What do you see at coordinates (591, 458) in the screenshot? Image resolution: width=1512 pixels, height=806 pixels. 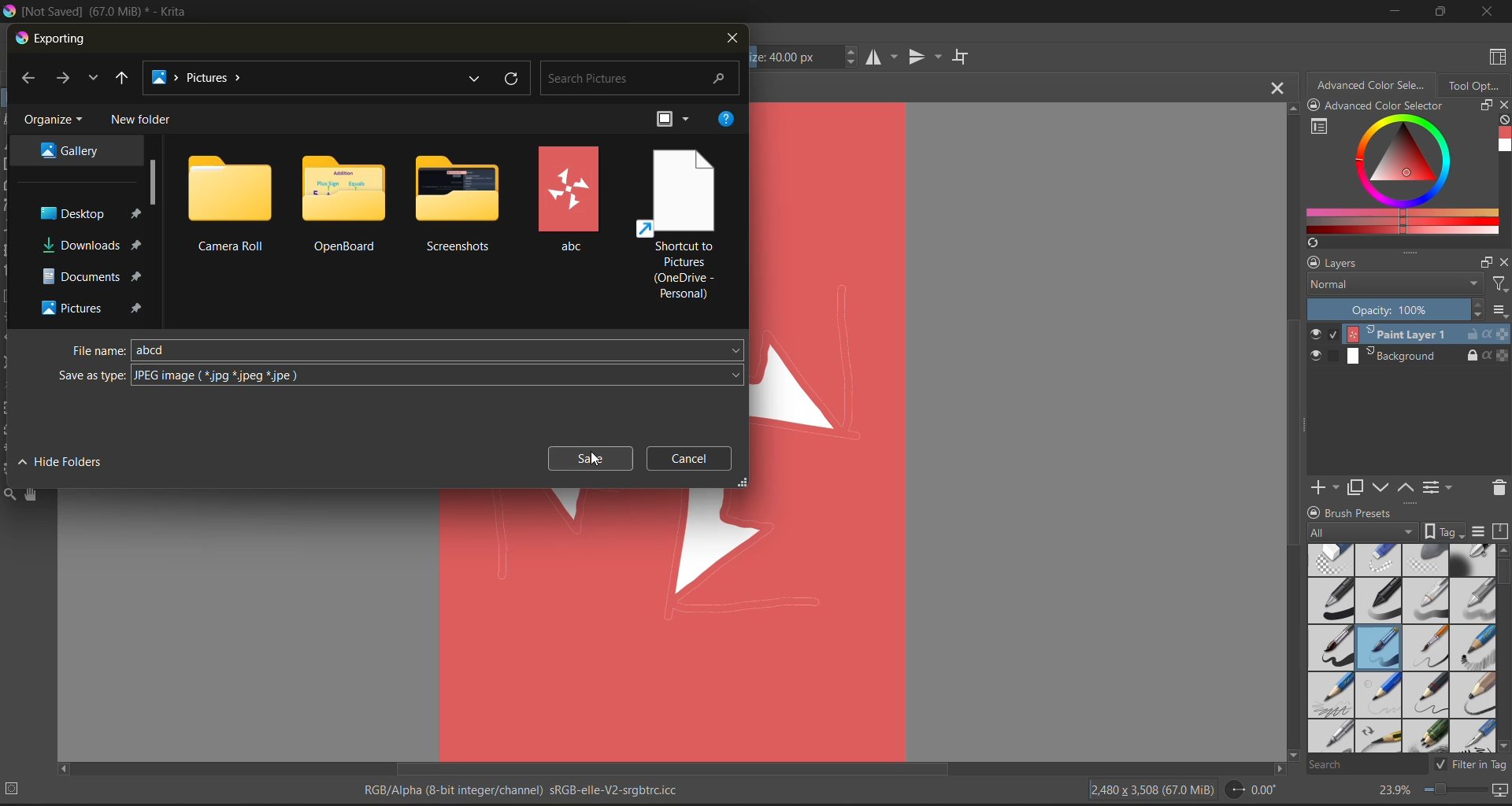 I see `cursor on save` at bounding box center [591, 458].